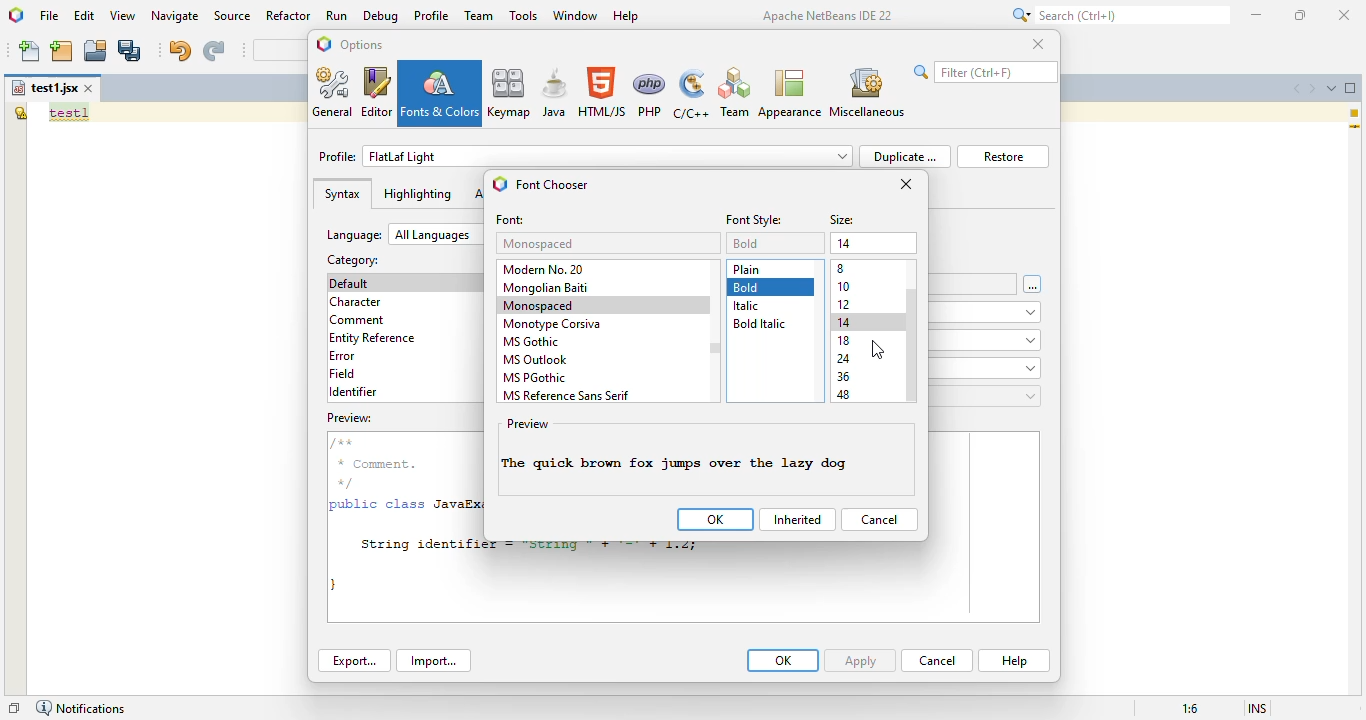 The image size is (1366, 720). I want to click on HTML/JS, so click(603, 92).